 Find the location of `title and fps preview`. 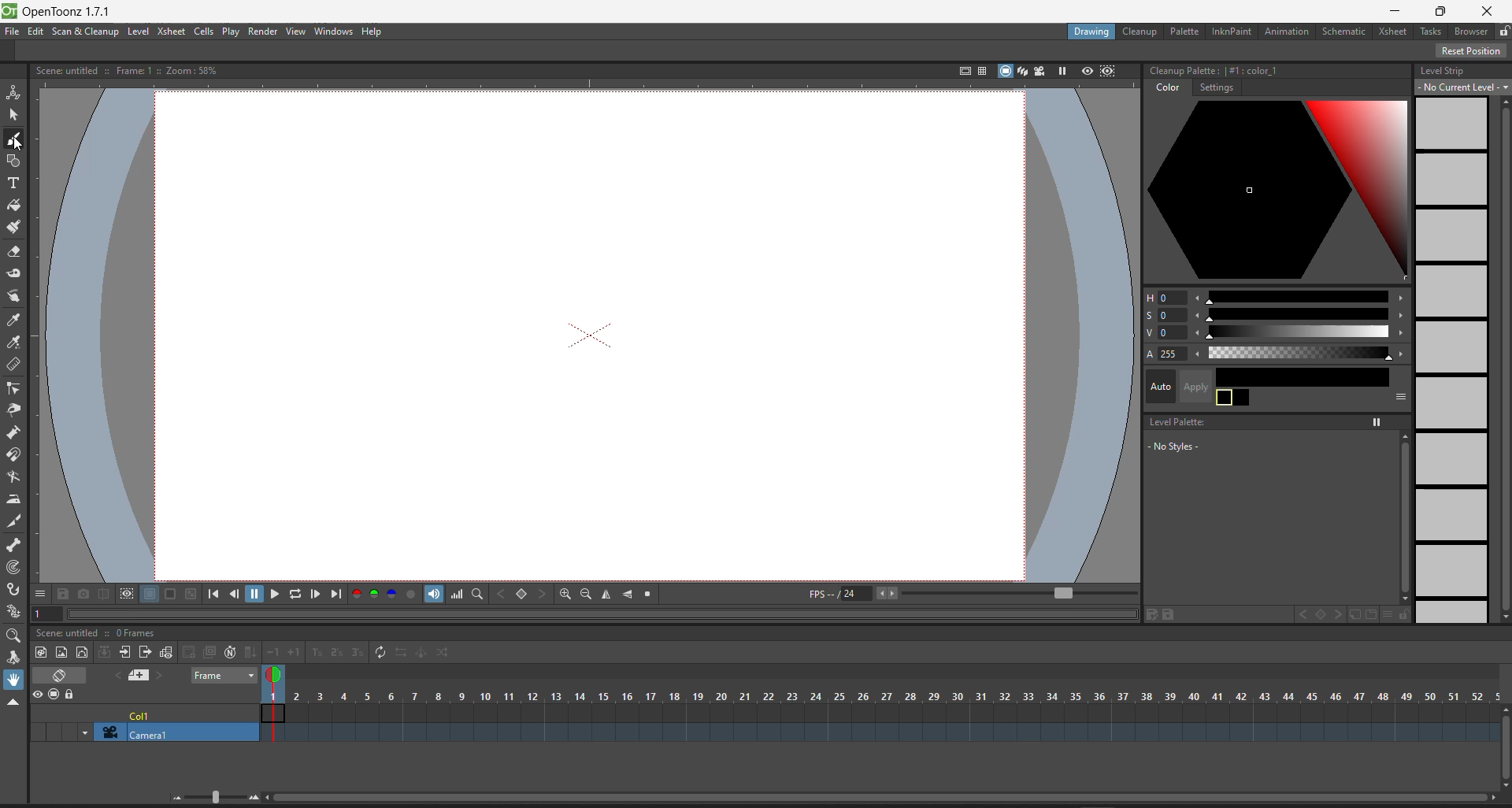

title and fps preview is located at coordinates (100, 632).